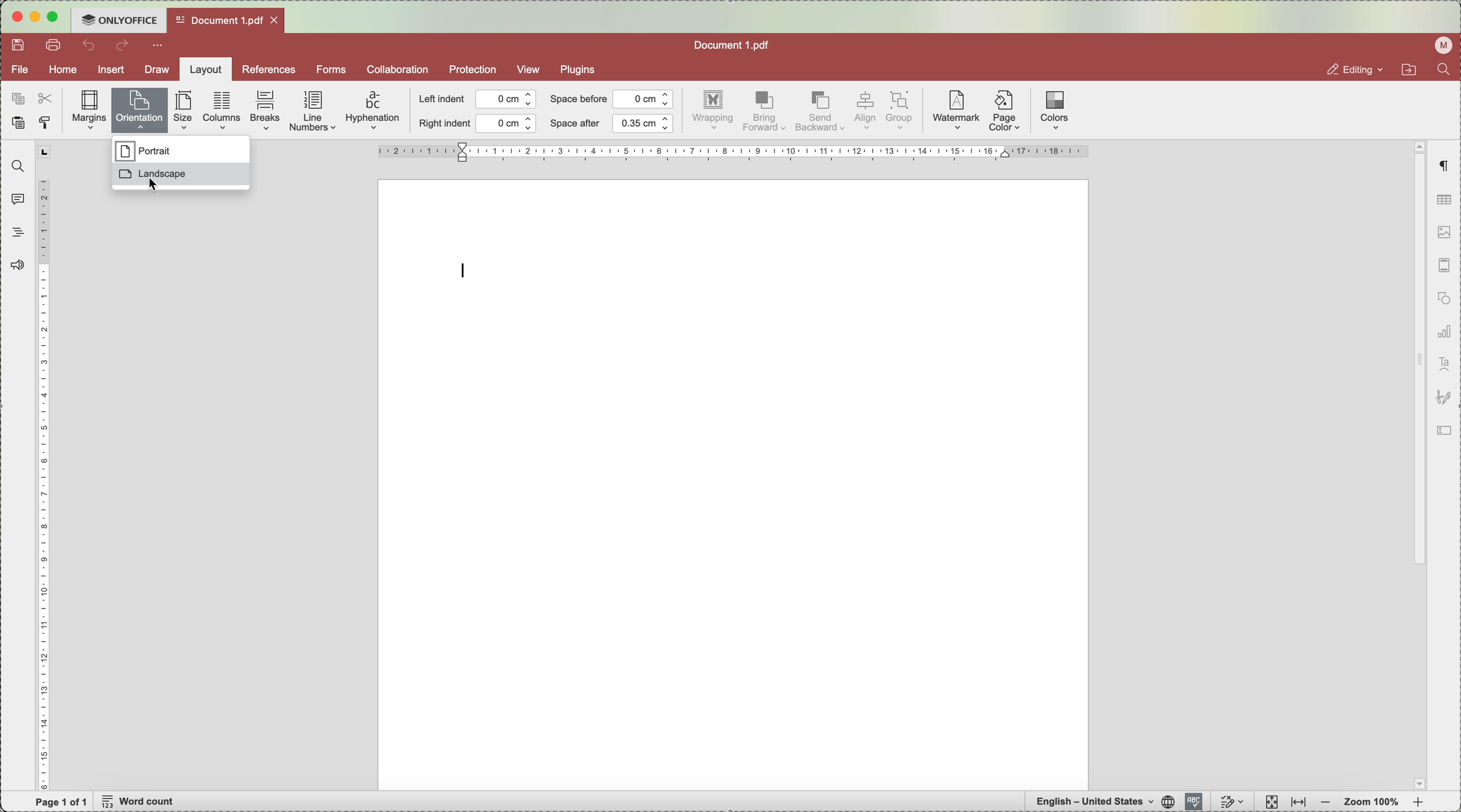  I want to click on comments, so click(15, 198).